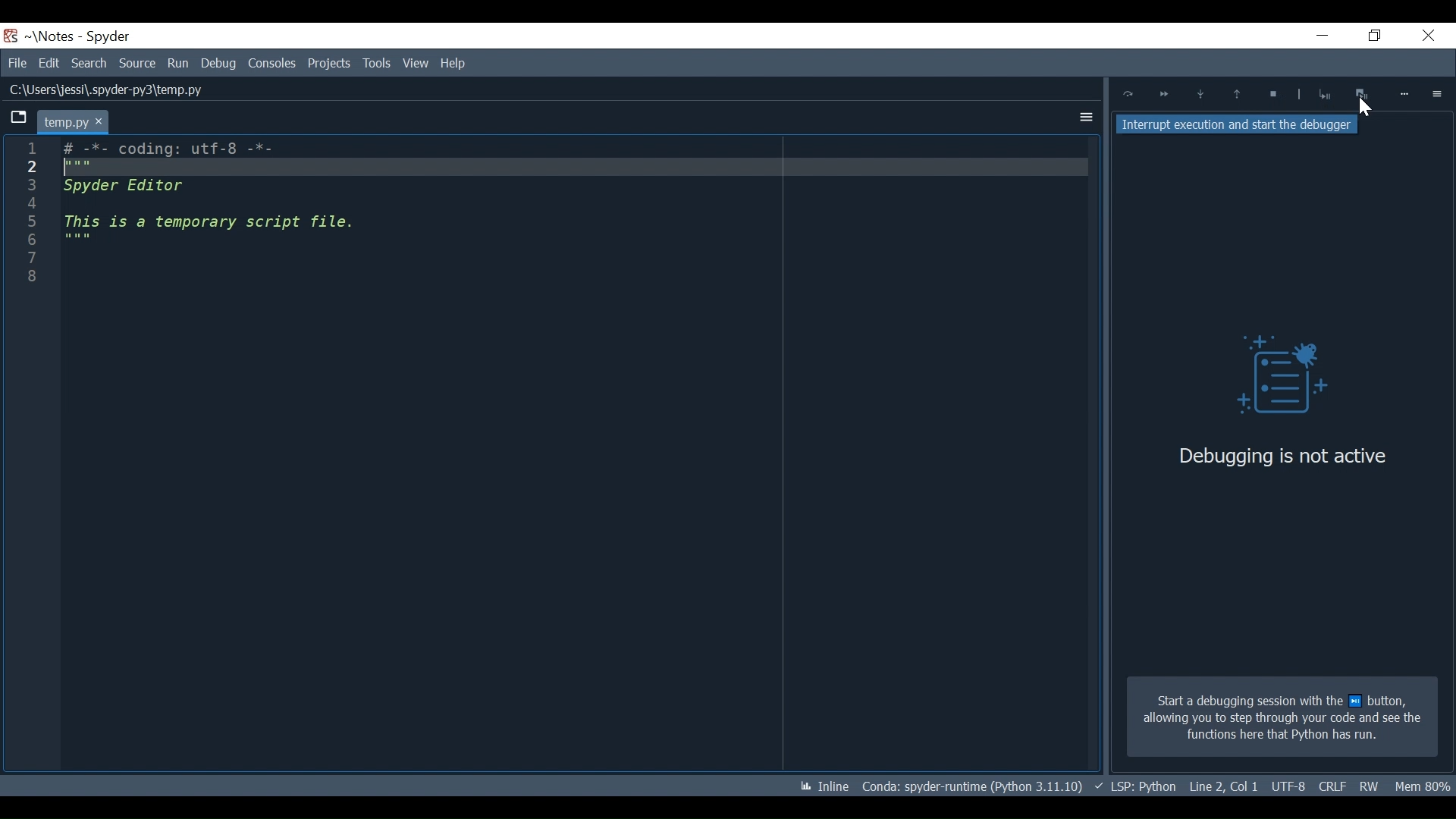 The image size is (1456, 819). I want to click on Start a debugging session with the next button allowing you to step through your code and see the functions here that Python has run, so click(1282, 717).